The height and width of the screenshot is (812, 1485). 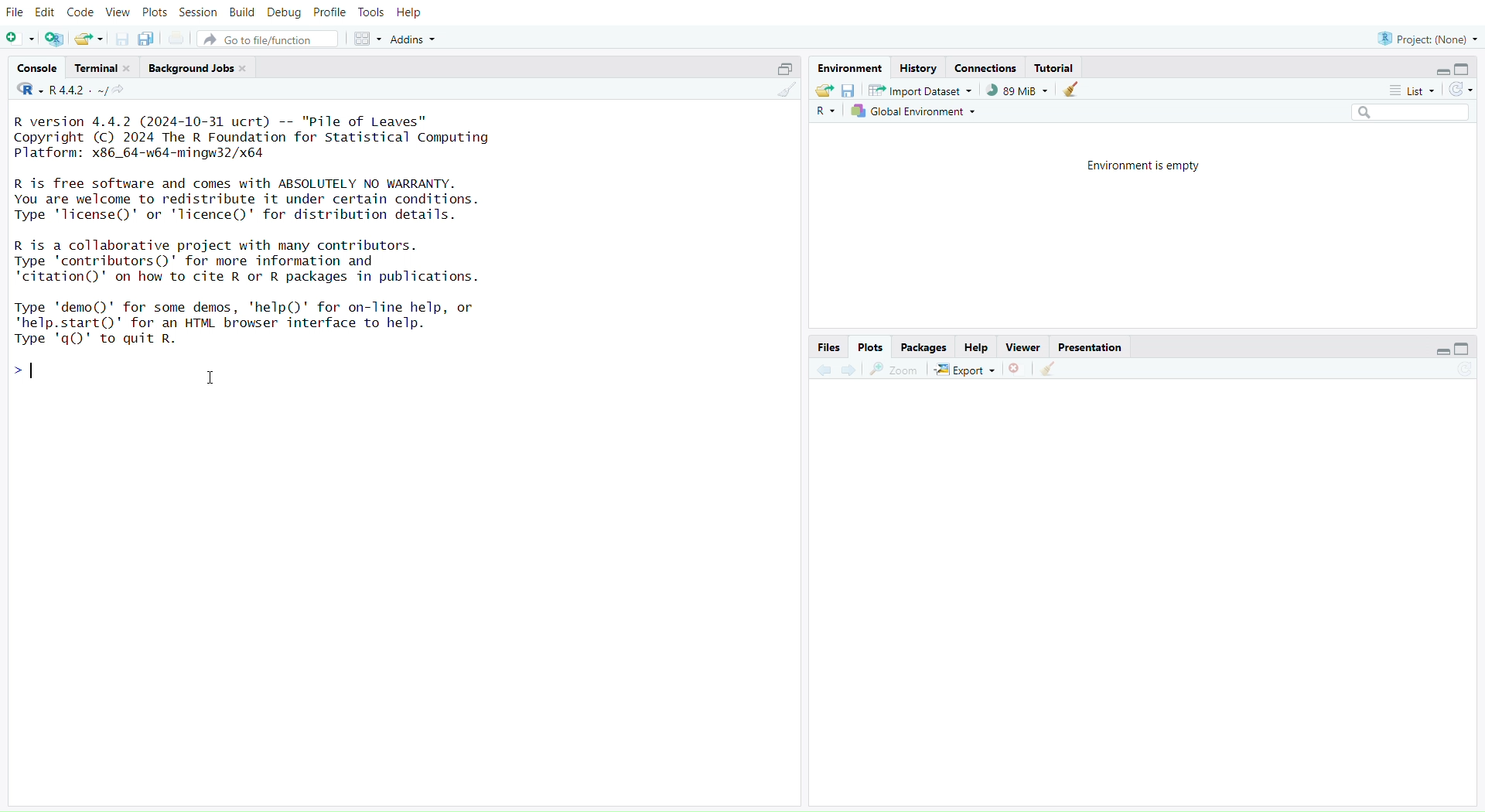 What do you see at coordinates (81, 12) in the screenshot?
I see `Code` at bounding box center [81, 12].